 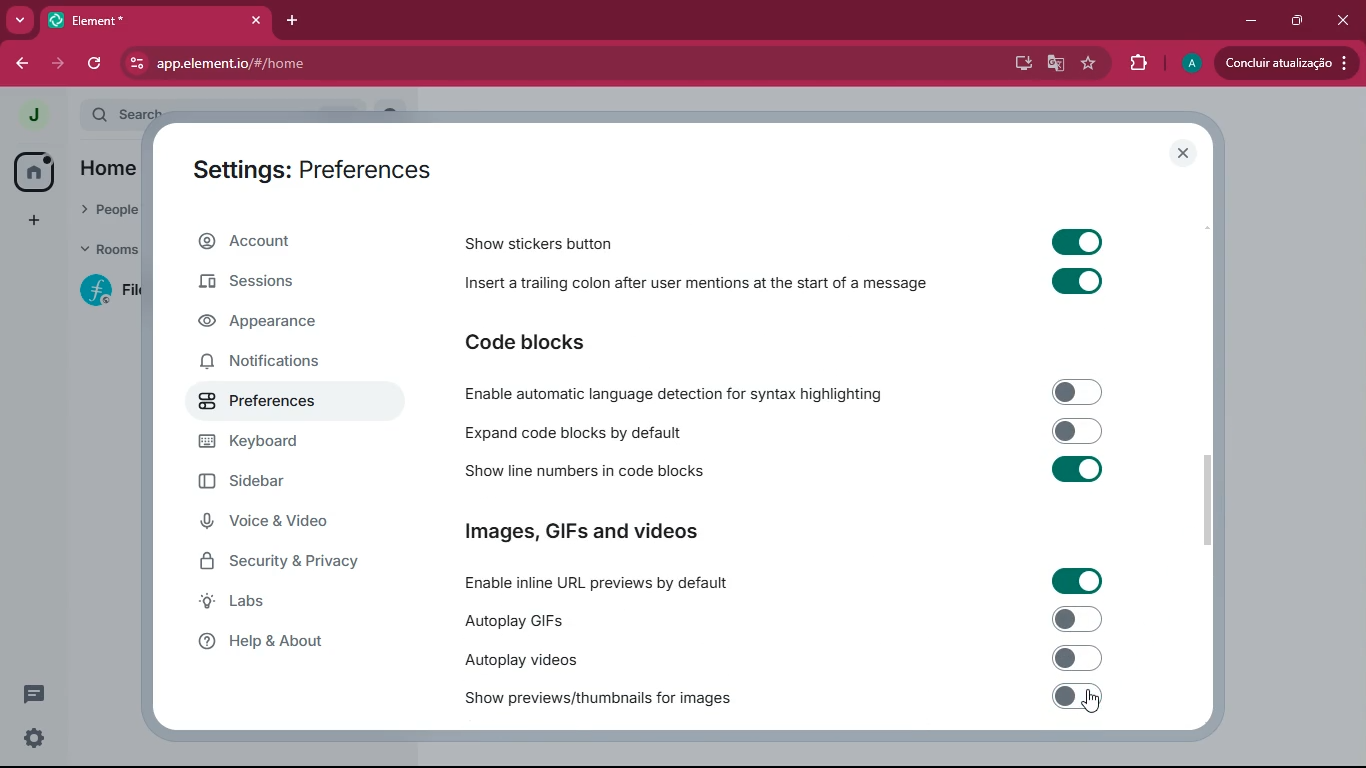 What do you see at coordinates (586, 472) in the screenshot?
I see `Show line numbers in code blocks` at bounding box center [586, 472].